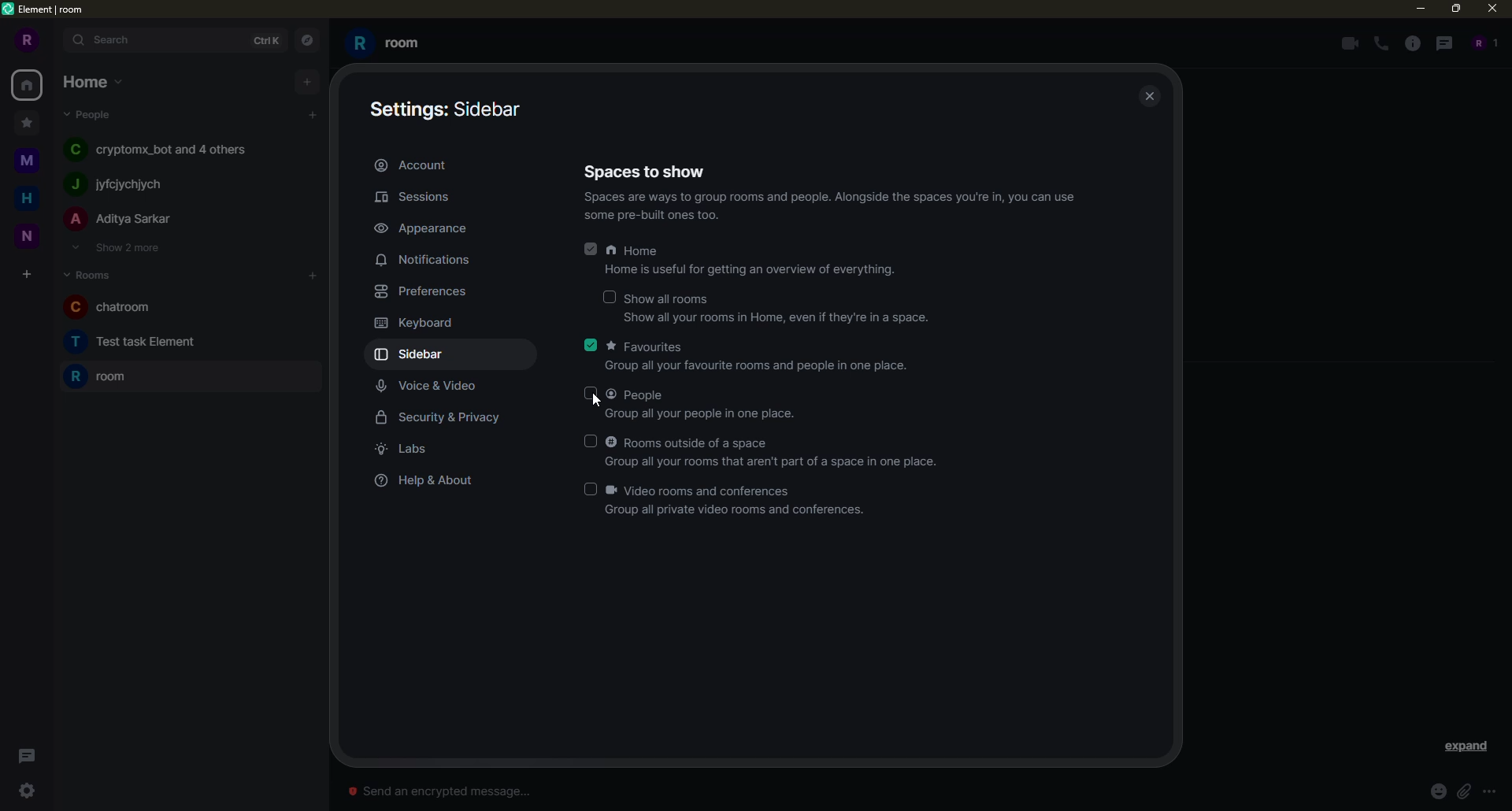 The width and height of the screenshot is (1512, 811). I want to click on notifications, so click(428, 260).